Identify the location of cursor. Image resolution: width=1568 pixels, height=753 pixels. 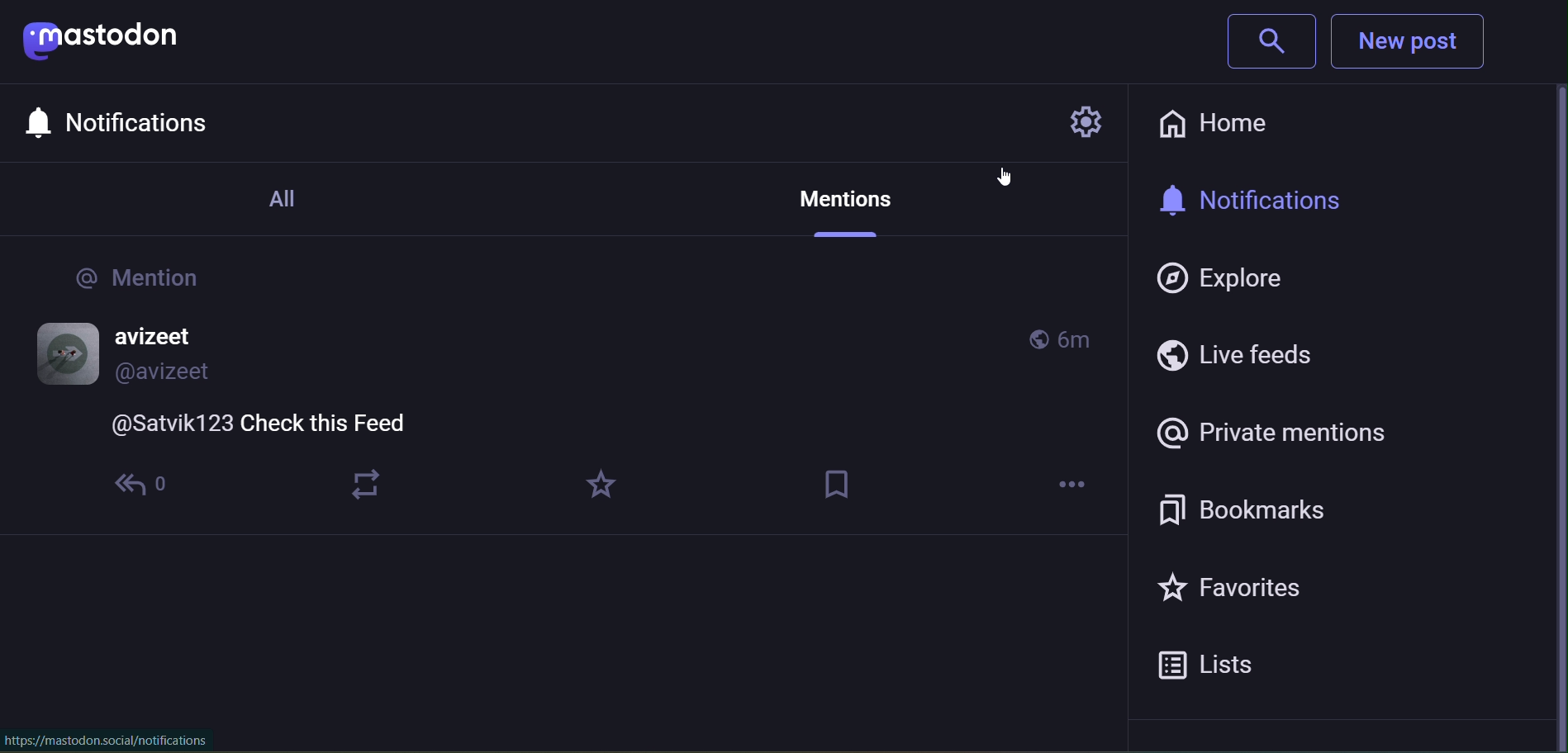
(1009, 182).